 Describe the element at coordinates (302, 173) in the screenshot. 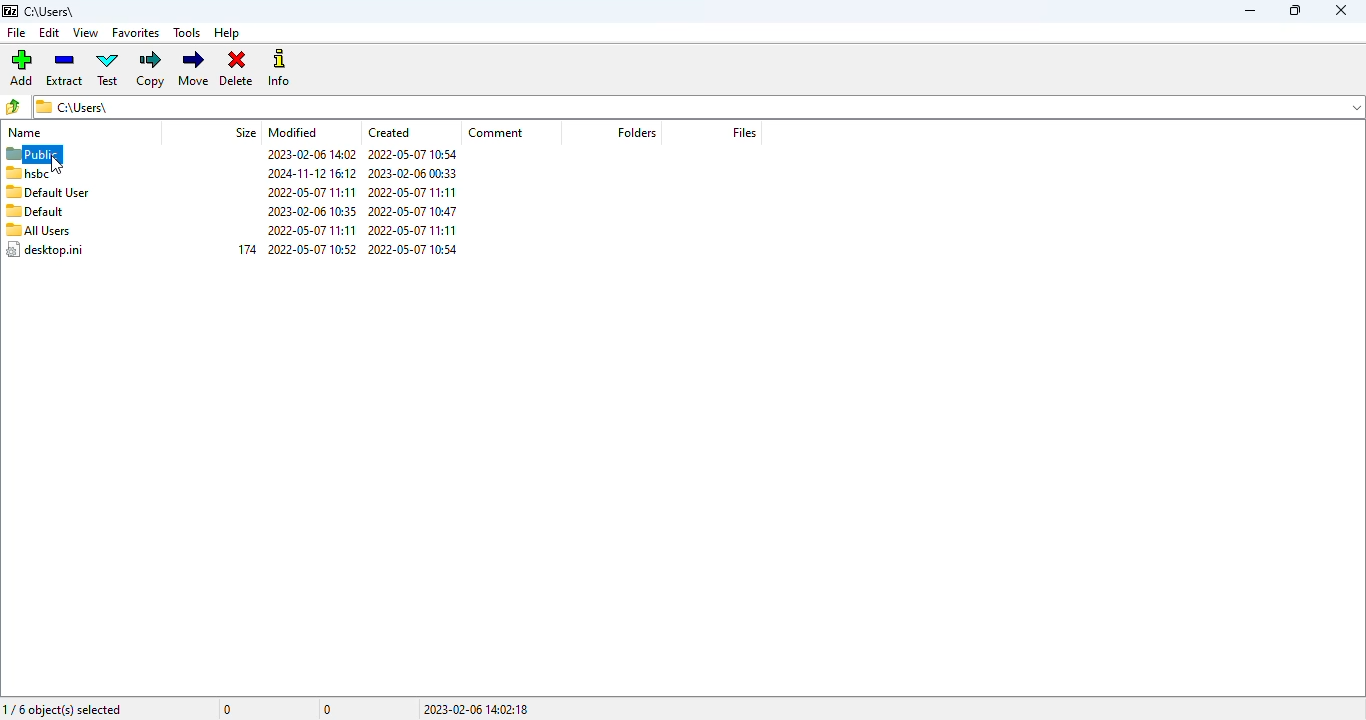

I see `2024-11-12 16:12` at that location.